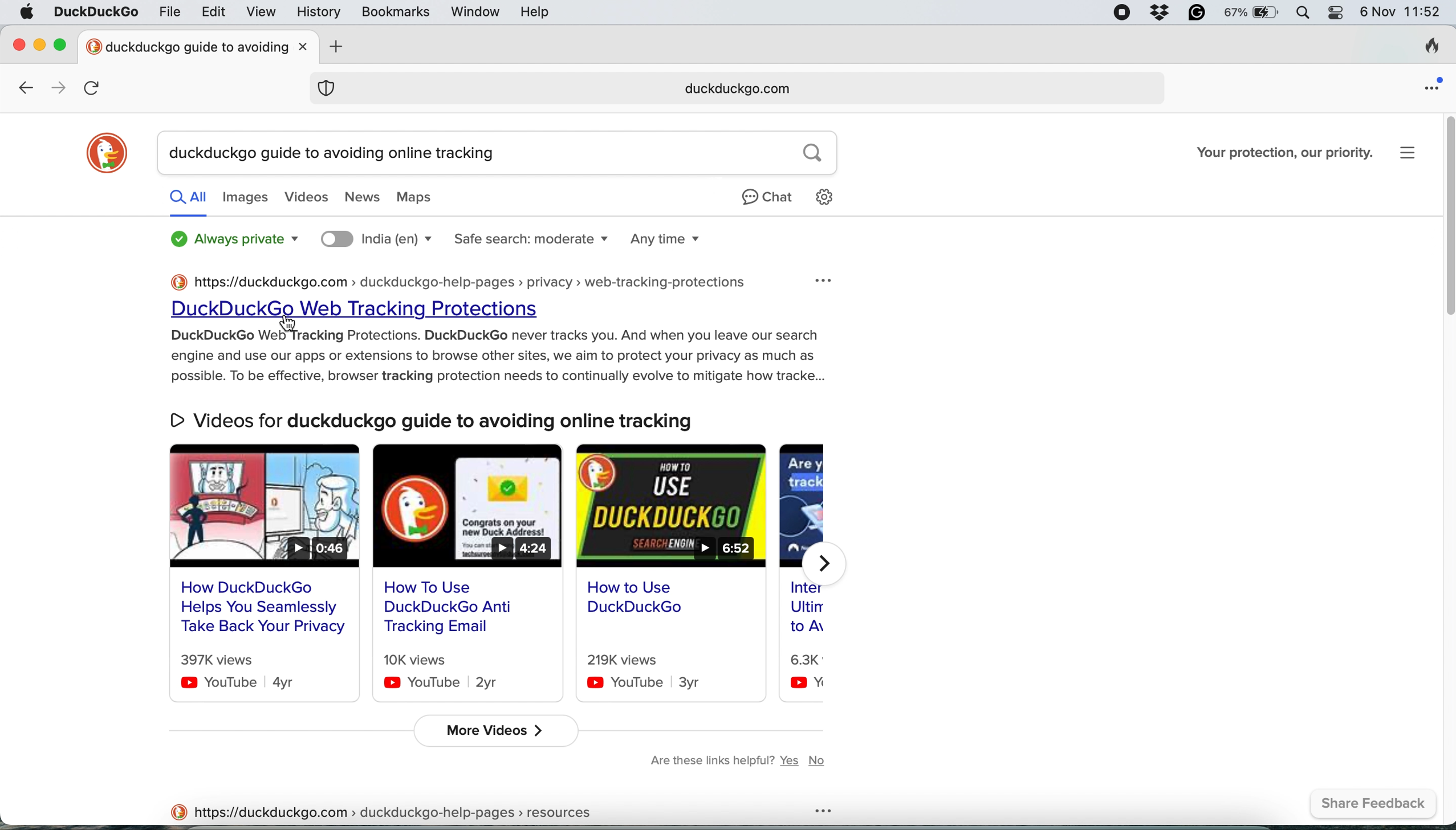  What do you see at coordinates (670, 513) in the screenshot?
I see `video` at bounding box center [670, 513].